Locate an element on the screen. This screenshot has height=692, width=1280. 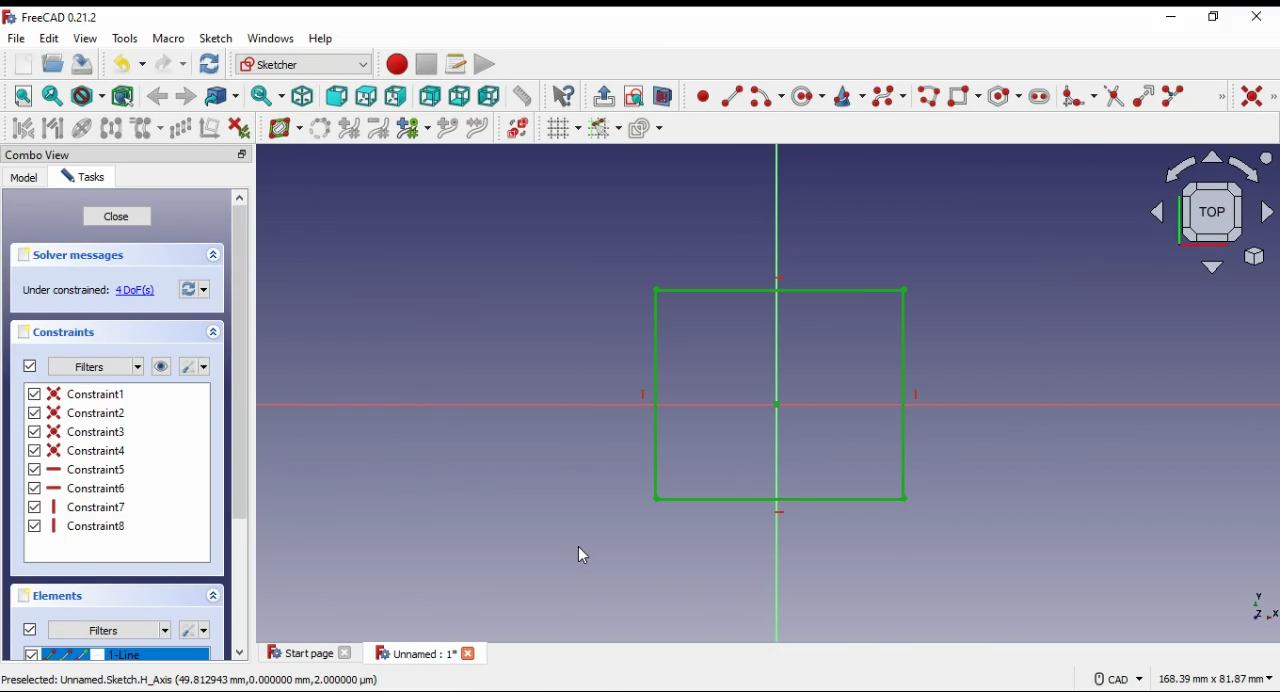
on/off constraint 7 is located at coordinates (92, 507).